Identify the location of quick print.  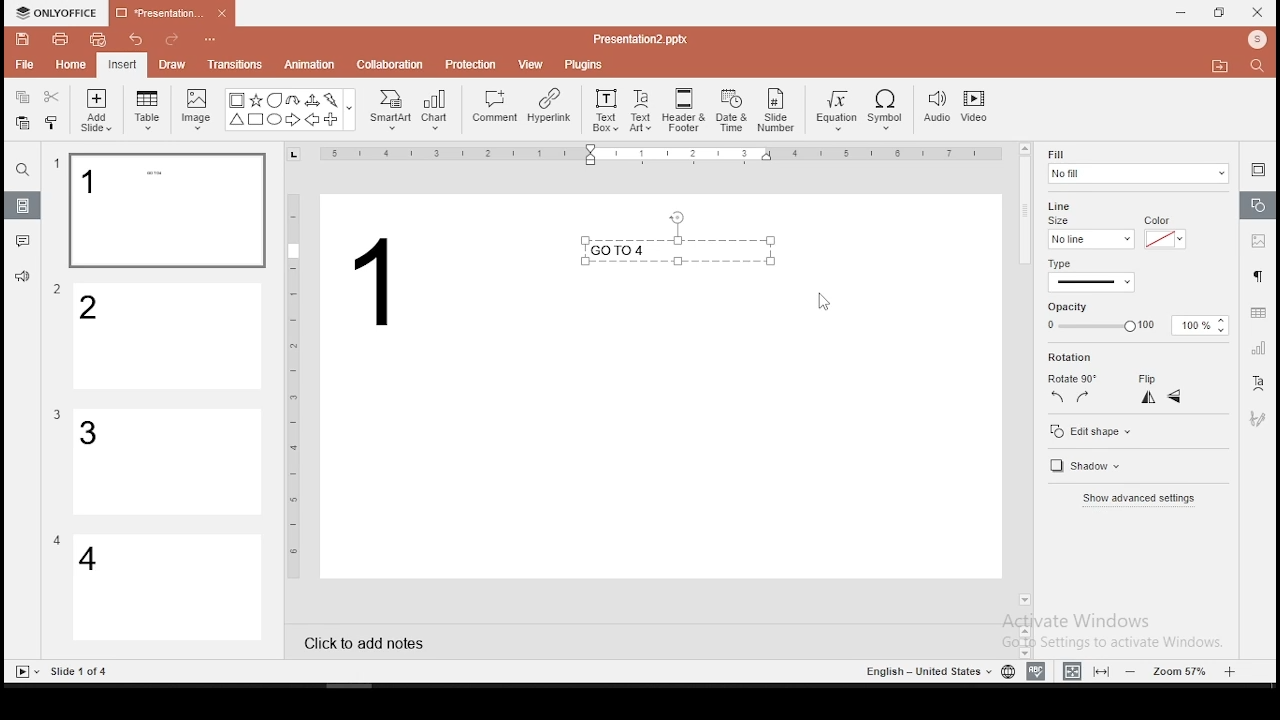
(98, 39).